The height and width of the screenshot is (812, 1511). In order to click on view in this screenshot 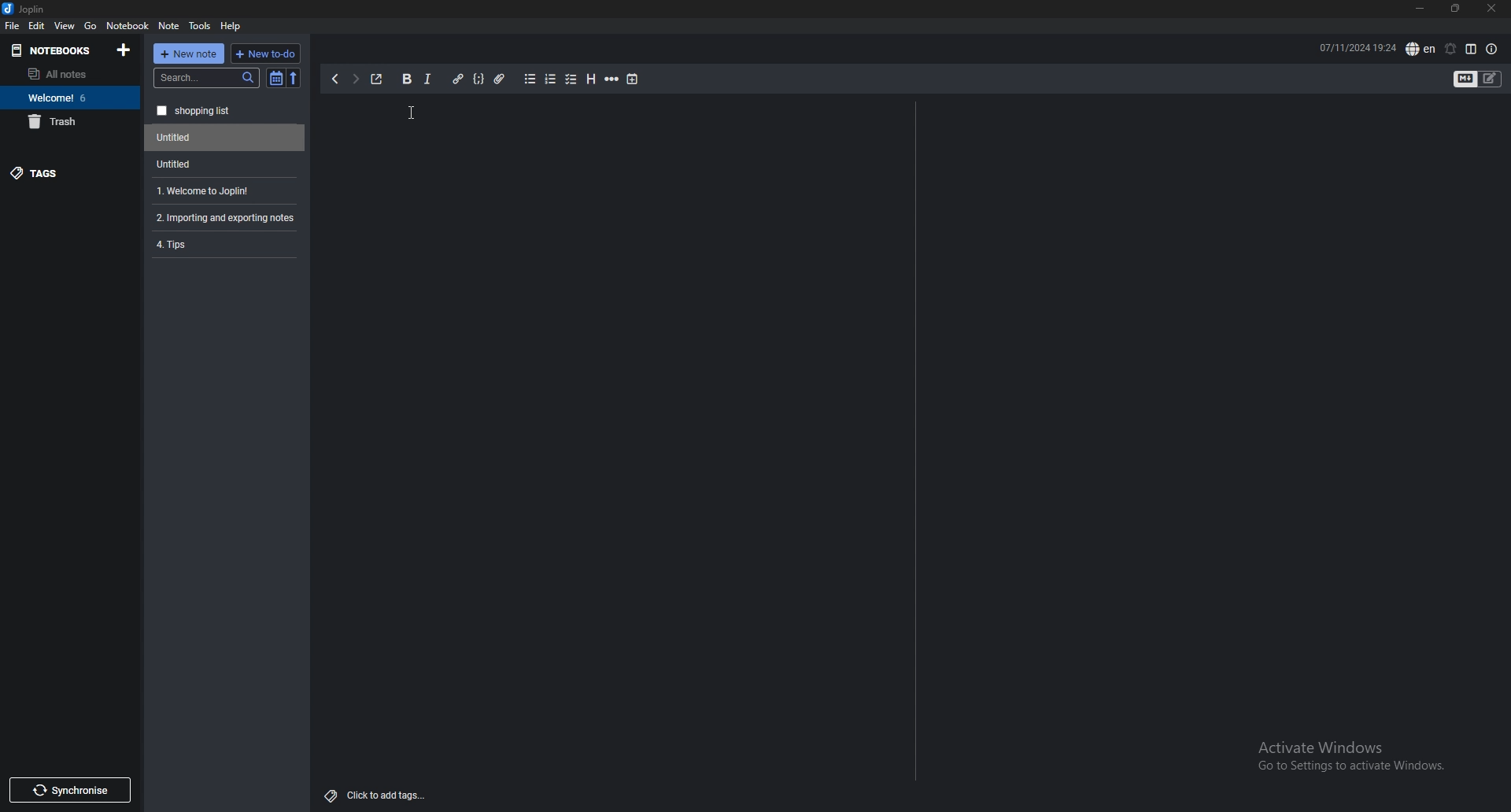, I will do `click(65, 25)`.